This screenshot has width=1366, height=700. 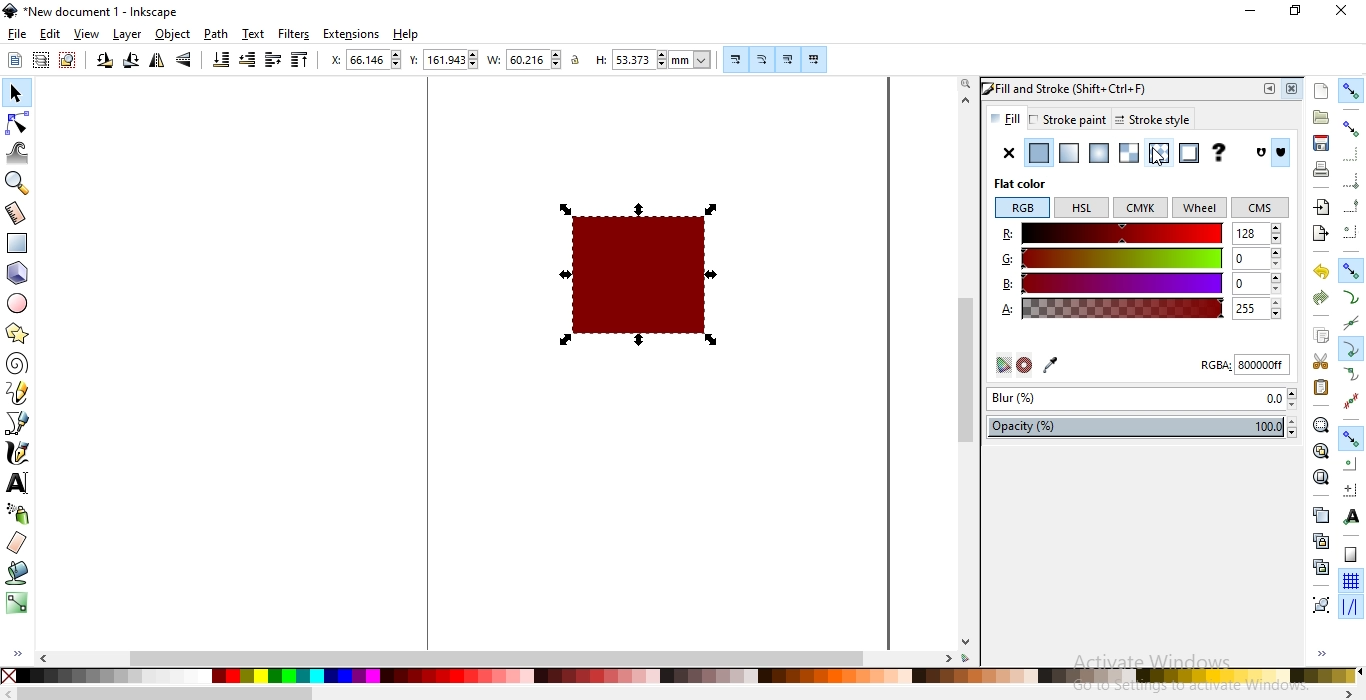 What do you see at coordinates (406, 35) in the screenshot?
I see `help` at bounding box center [406, 35].